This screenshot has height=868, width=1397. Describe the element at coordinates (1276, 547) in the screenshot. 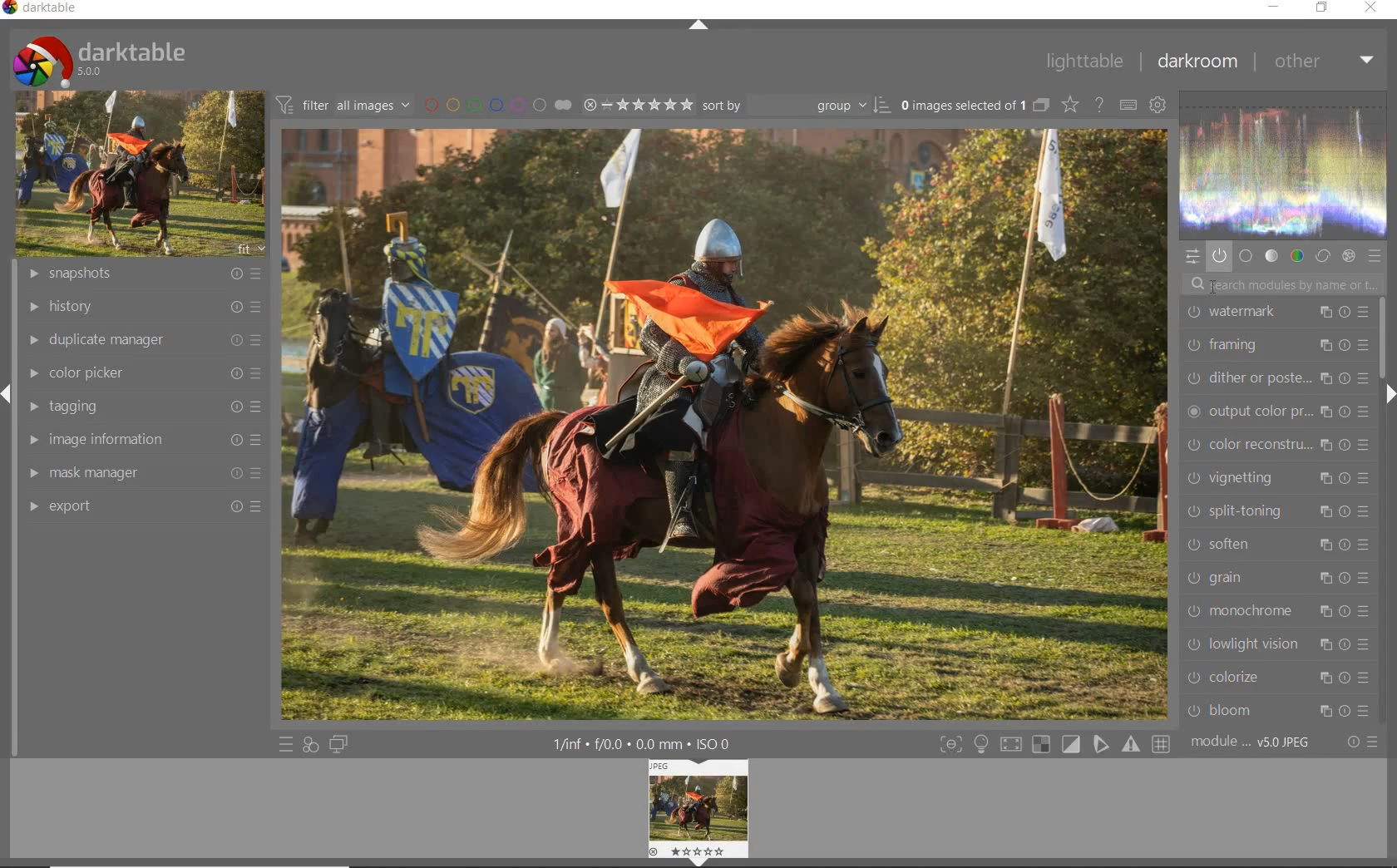

I see `soften` at that location.